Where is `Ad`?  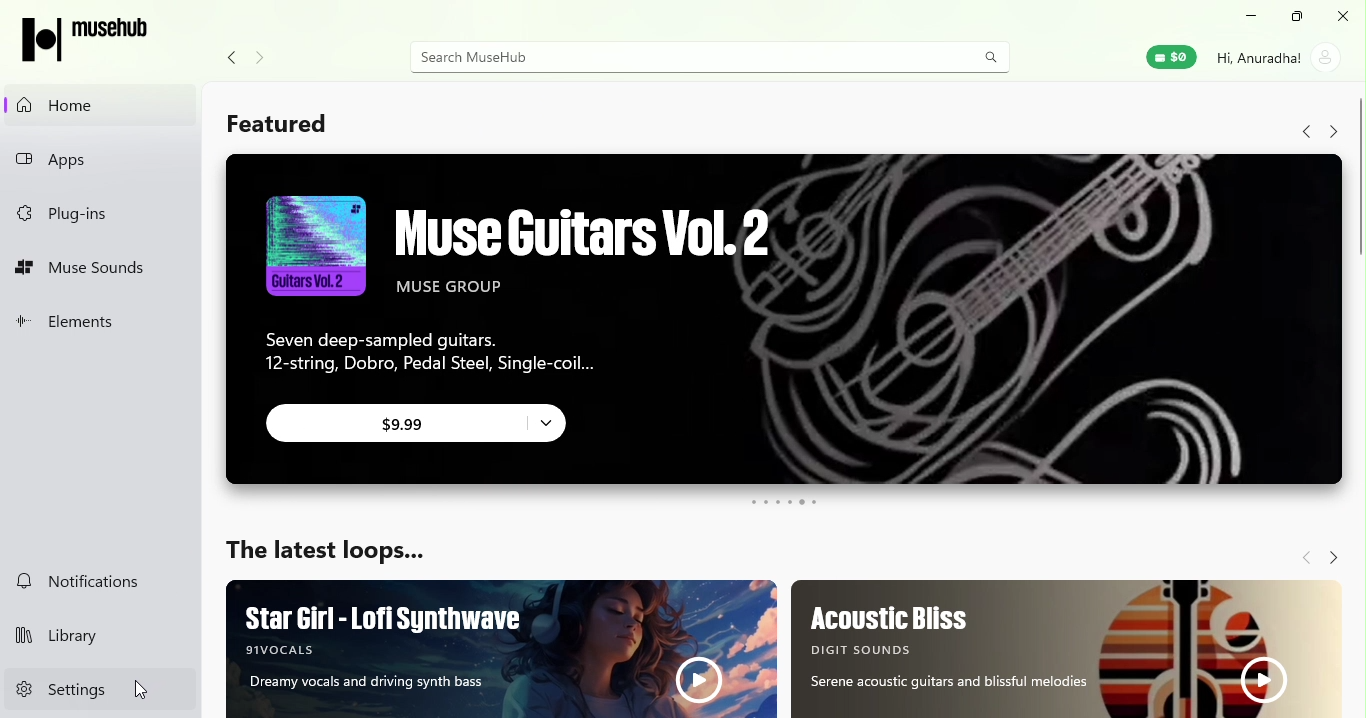 Ad is located at coordinates (508, 646).